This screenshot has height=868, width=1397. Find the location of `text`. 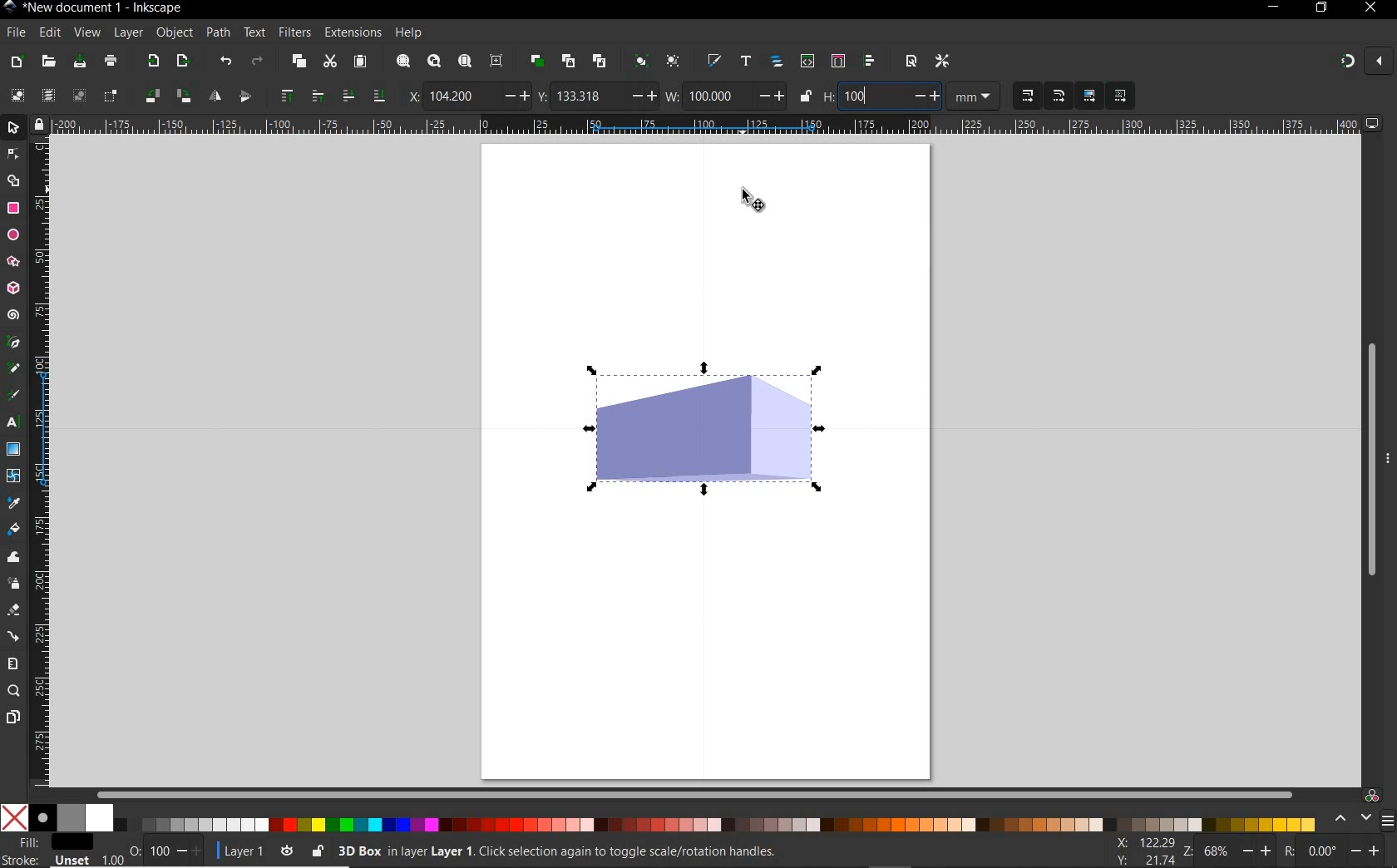

text is located at coordinates (254, 32).